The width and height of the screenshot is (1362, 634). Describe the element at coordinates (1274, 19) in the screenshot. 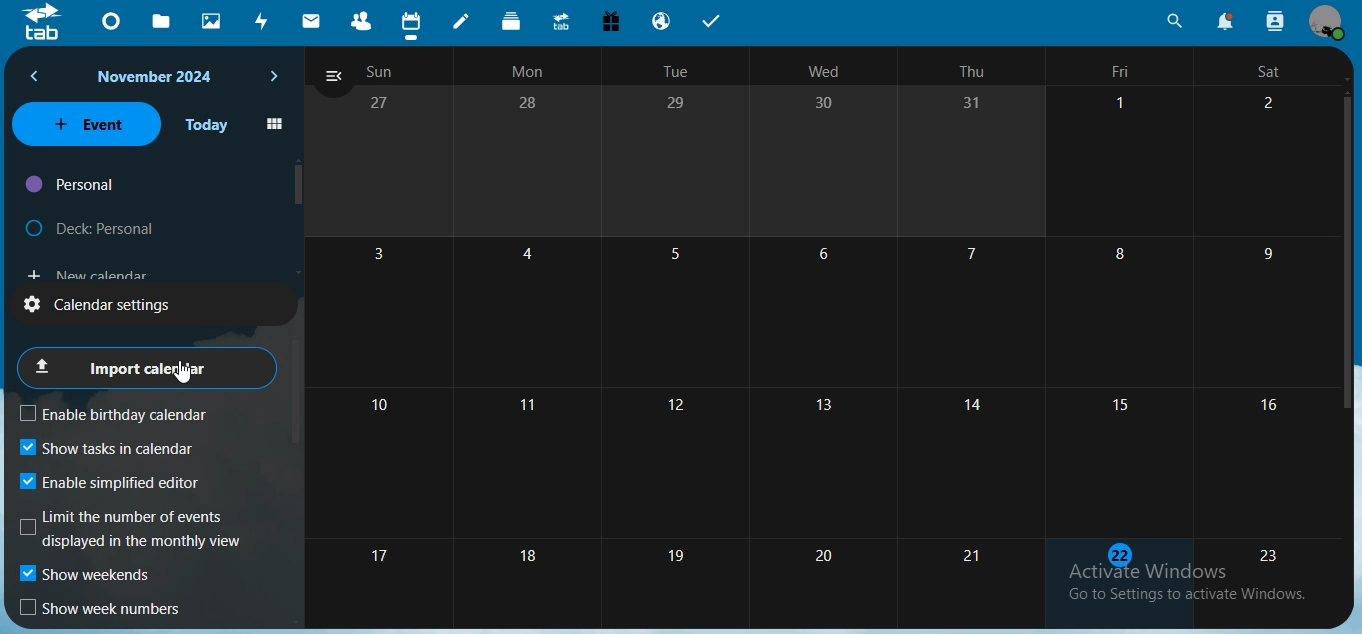

I see `search contact` at that location.